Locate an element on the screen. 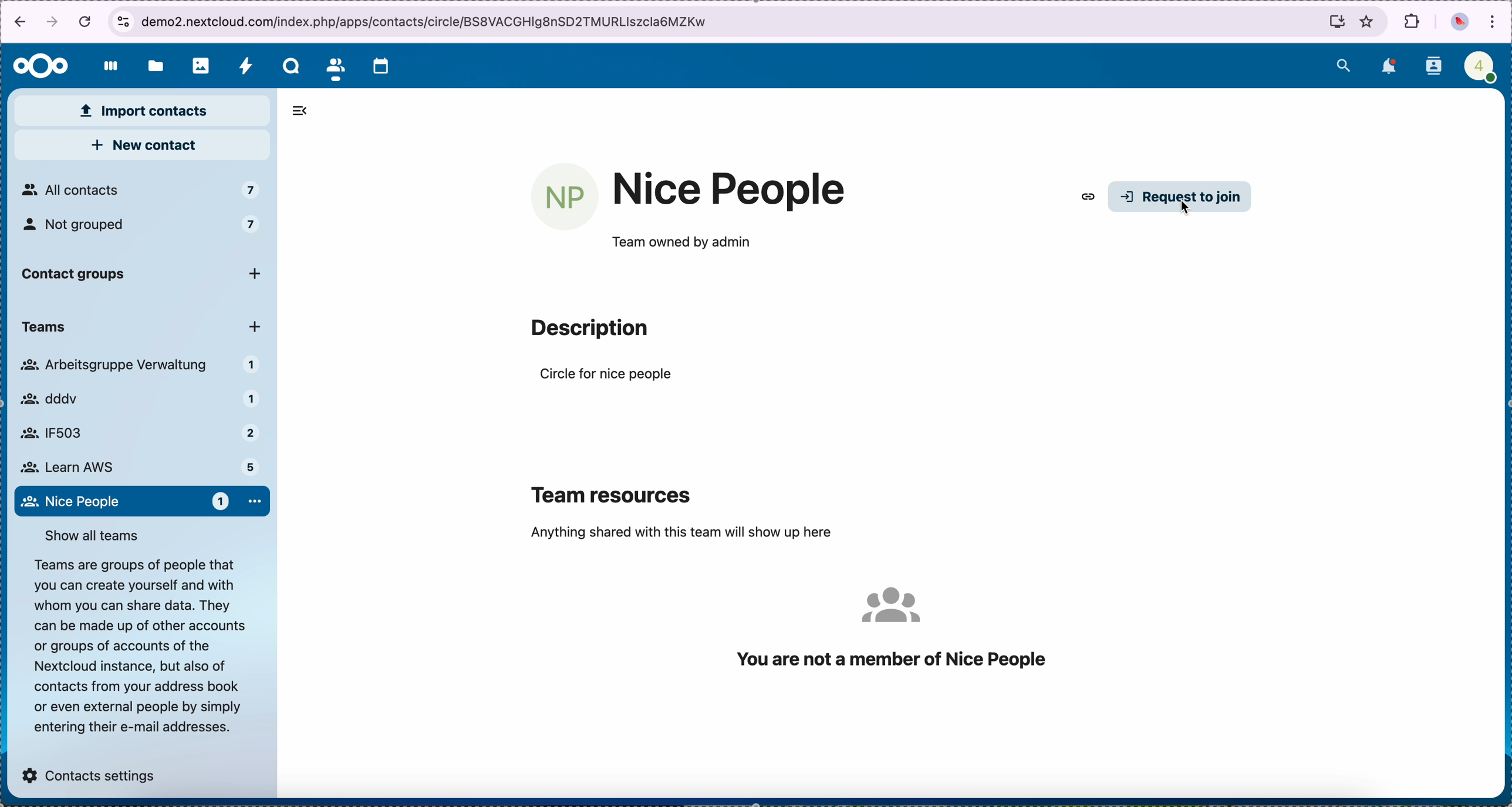  new contact button is located at coordinates (141, 146).